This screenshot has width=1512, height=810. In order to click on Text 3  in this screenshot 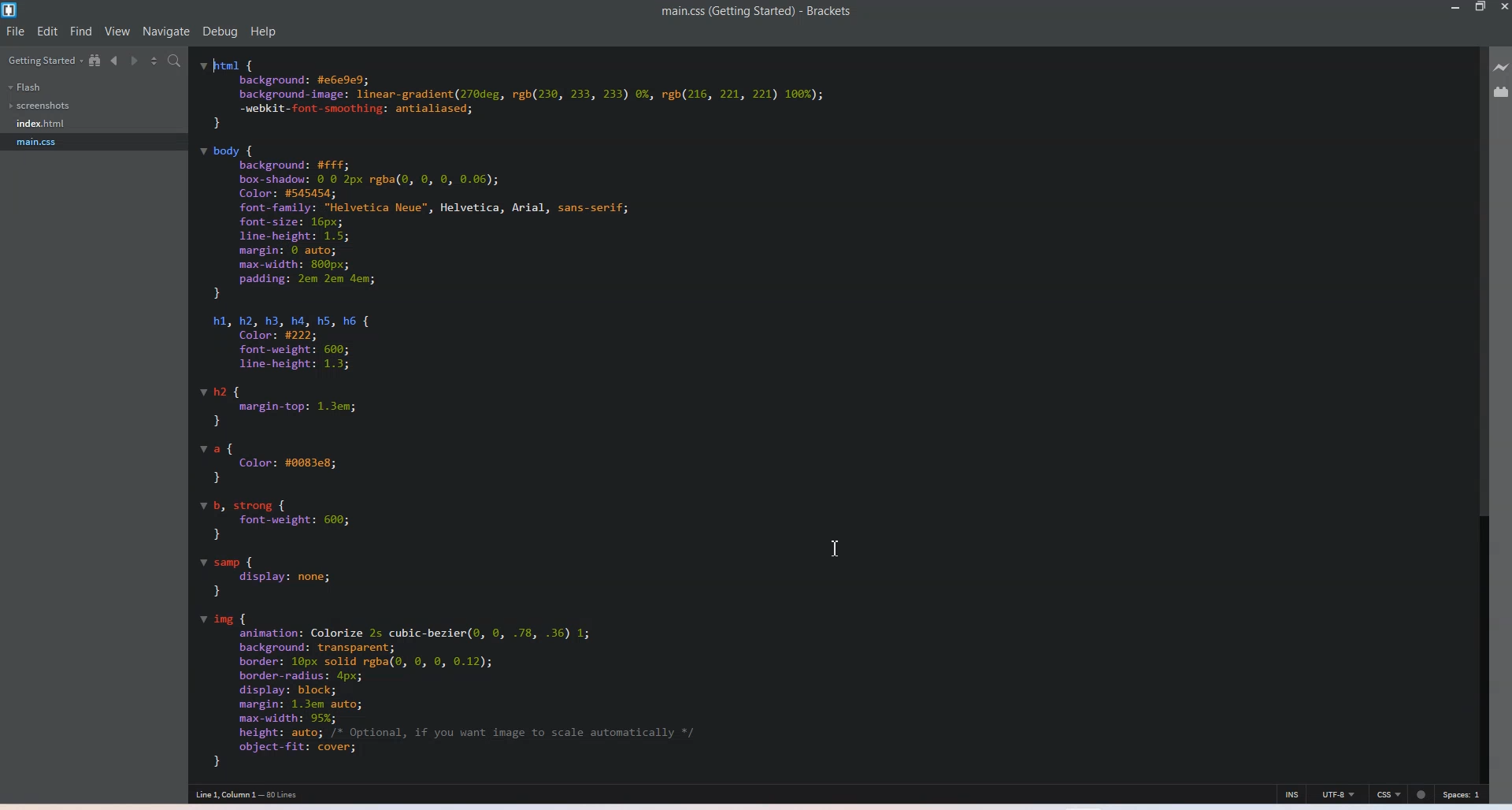, I will do `click(253, 794)`.